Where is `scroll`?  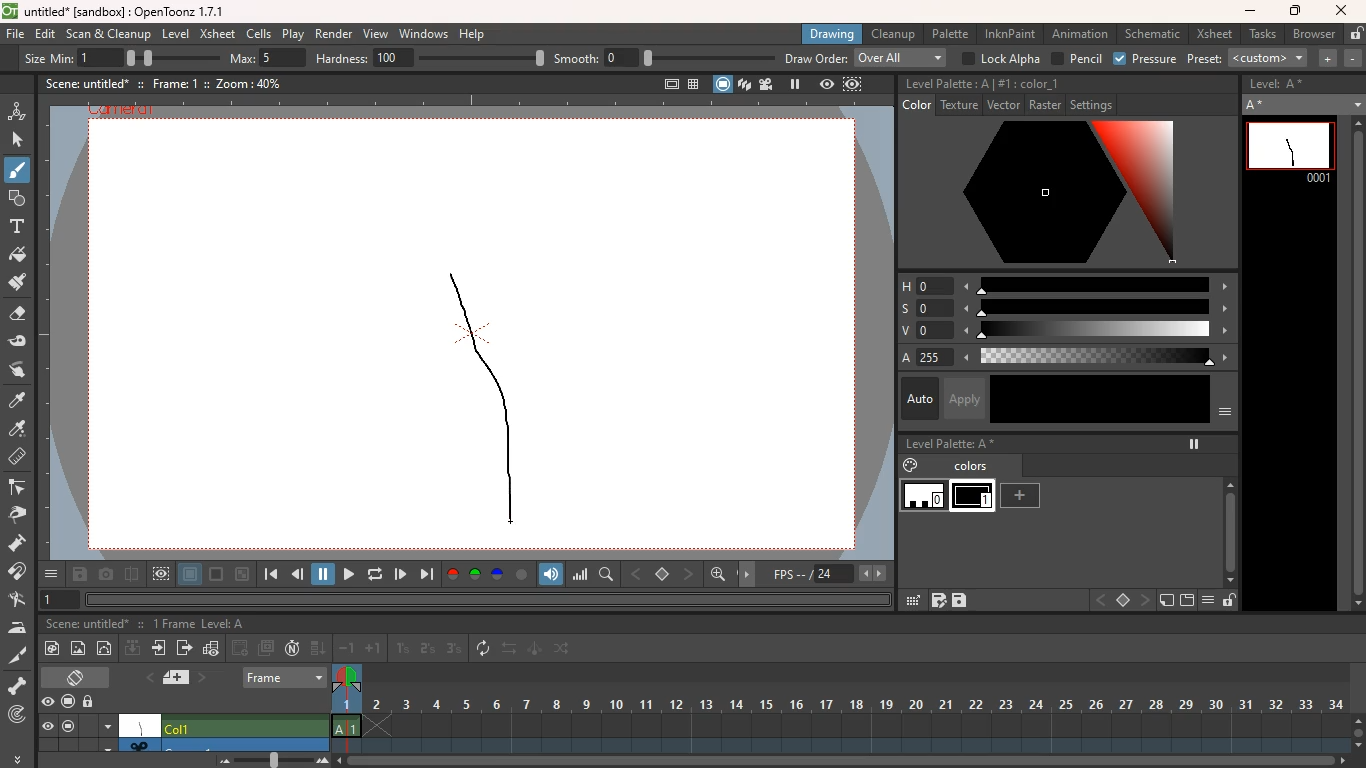
scroll is located at coordinates (1225, 523).